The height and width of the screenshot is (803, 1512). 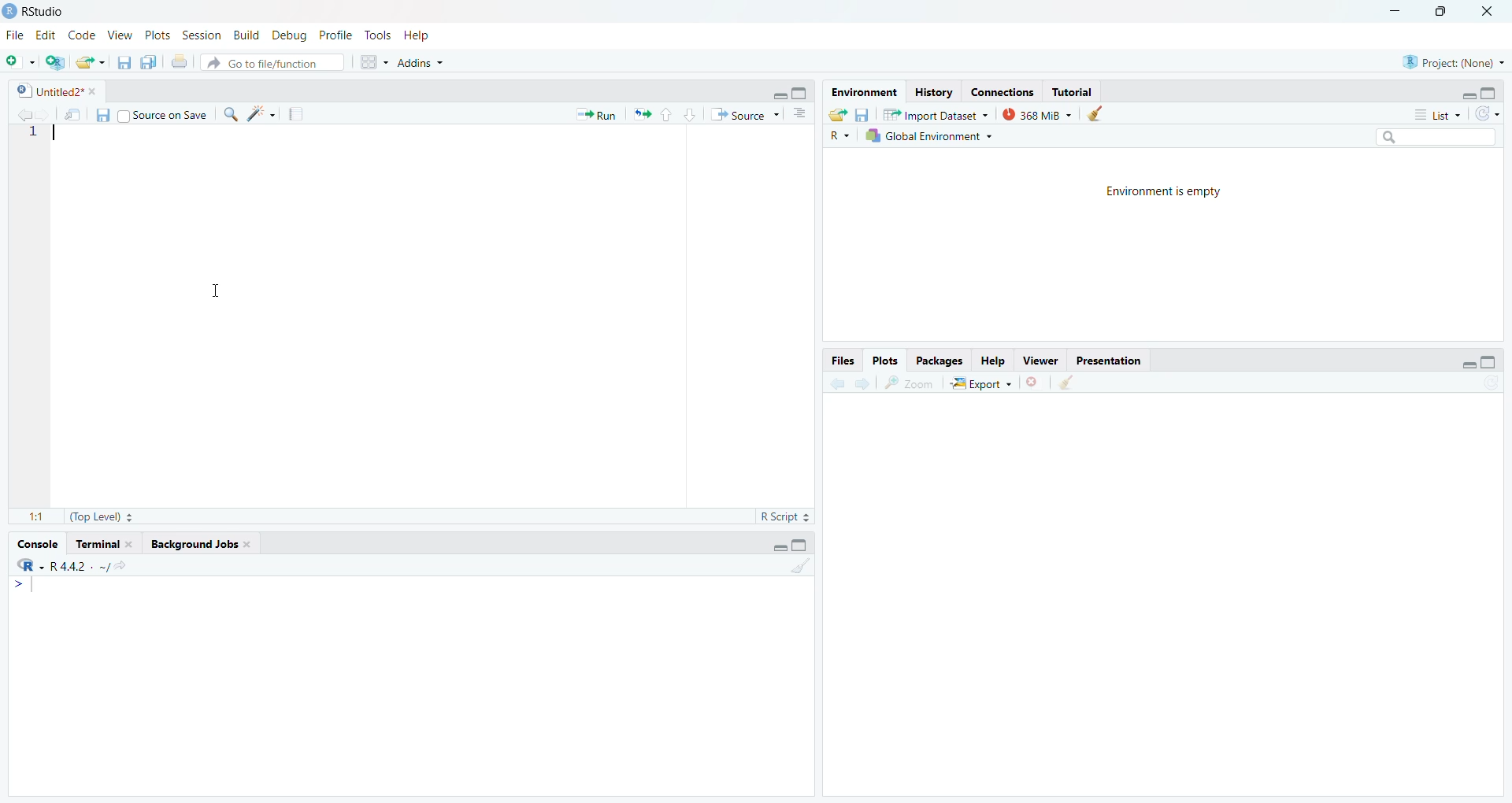 I want to click on 1, so click(x=43, y=137).